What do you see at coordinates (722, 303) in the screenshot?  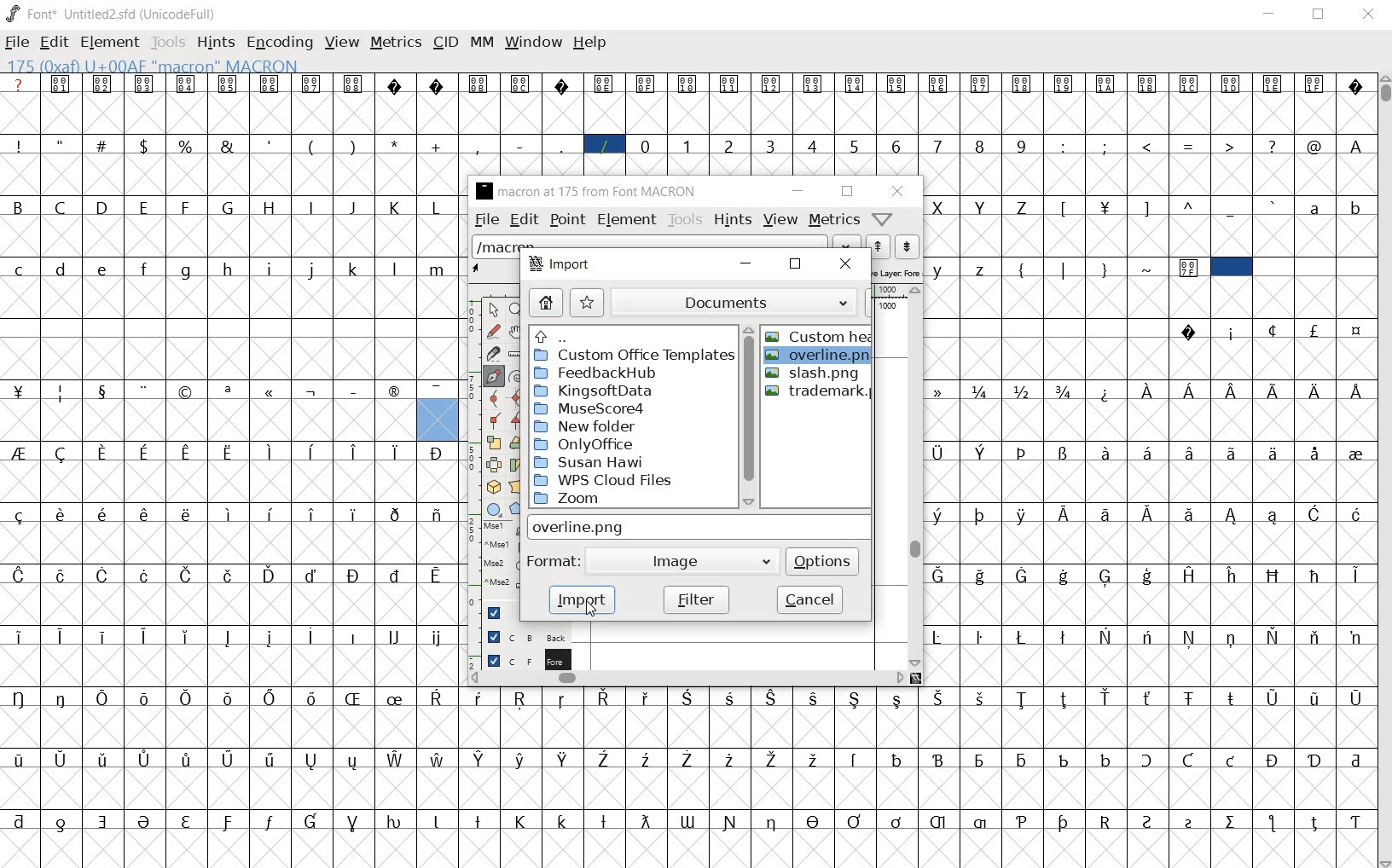 I see `documents` at bounding box center [722, 303].